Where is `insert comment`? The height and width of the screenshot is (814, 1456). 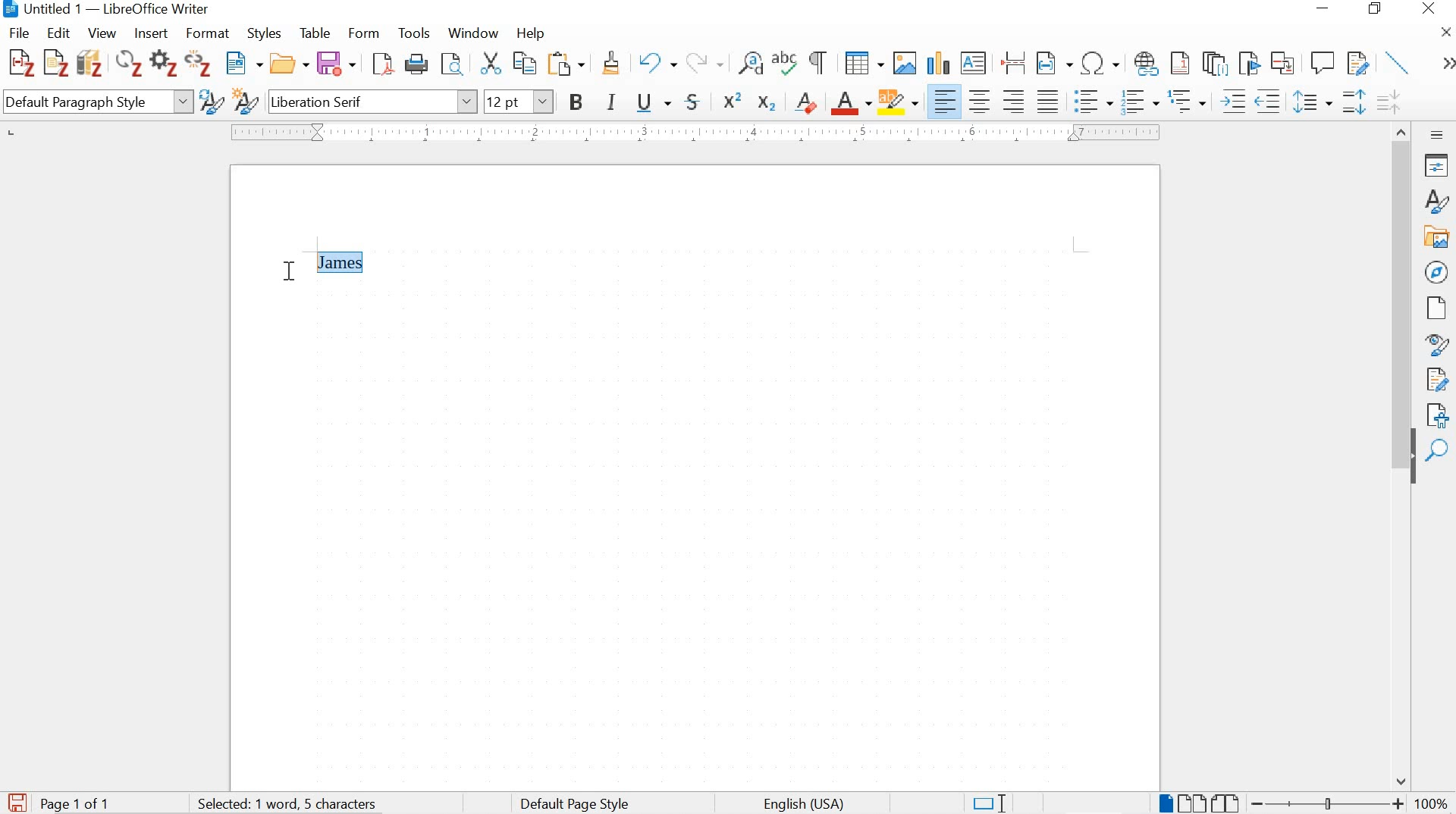
insert comment is located at coordinates (1323, 63).